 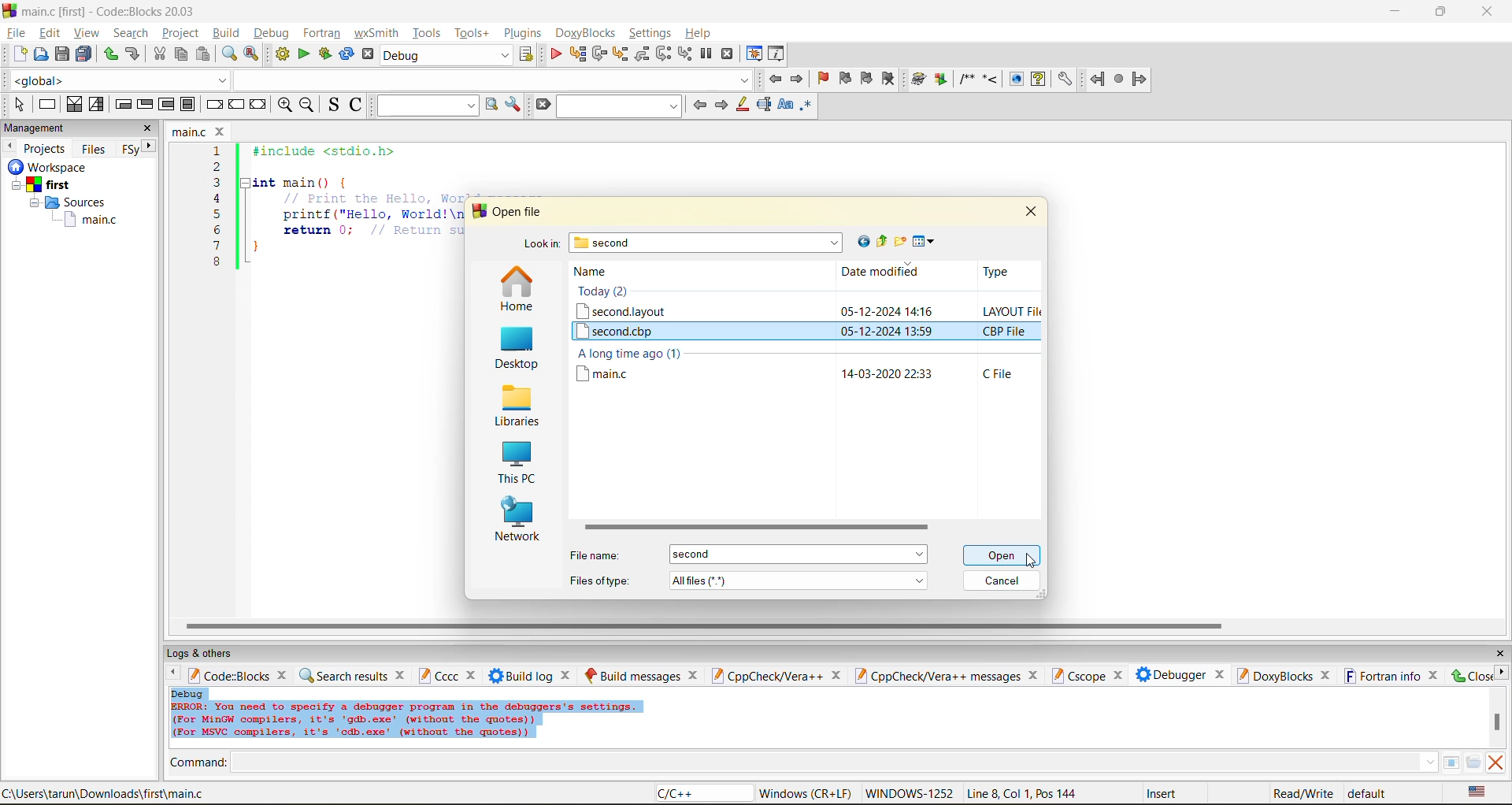 What do you see at coordinates (1326, 676) in the screenshot?
I see `close` at bounding box center [1326, 676].